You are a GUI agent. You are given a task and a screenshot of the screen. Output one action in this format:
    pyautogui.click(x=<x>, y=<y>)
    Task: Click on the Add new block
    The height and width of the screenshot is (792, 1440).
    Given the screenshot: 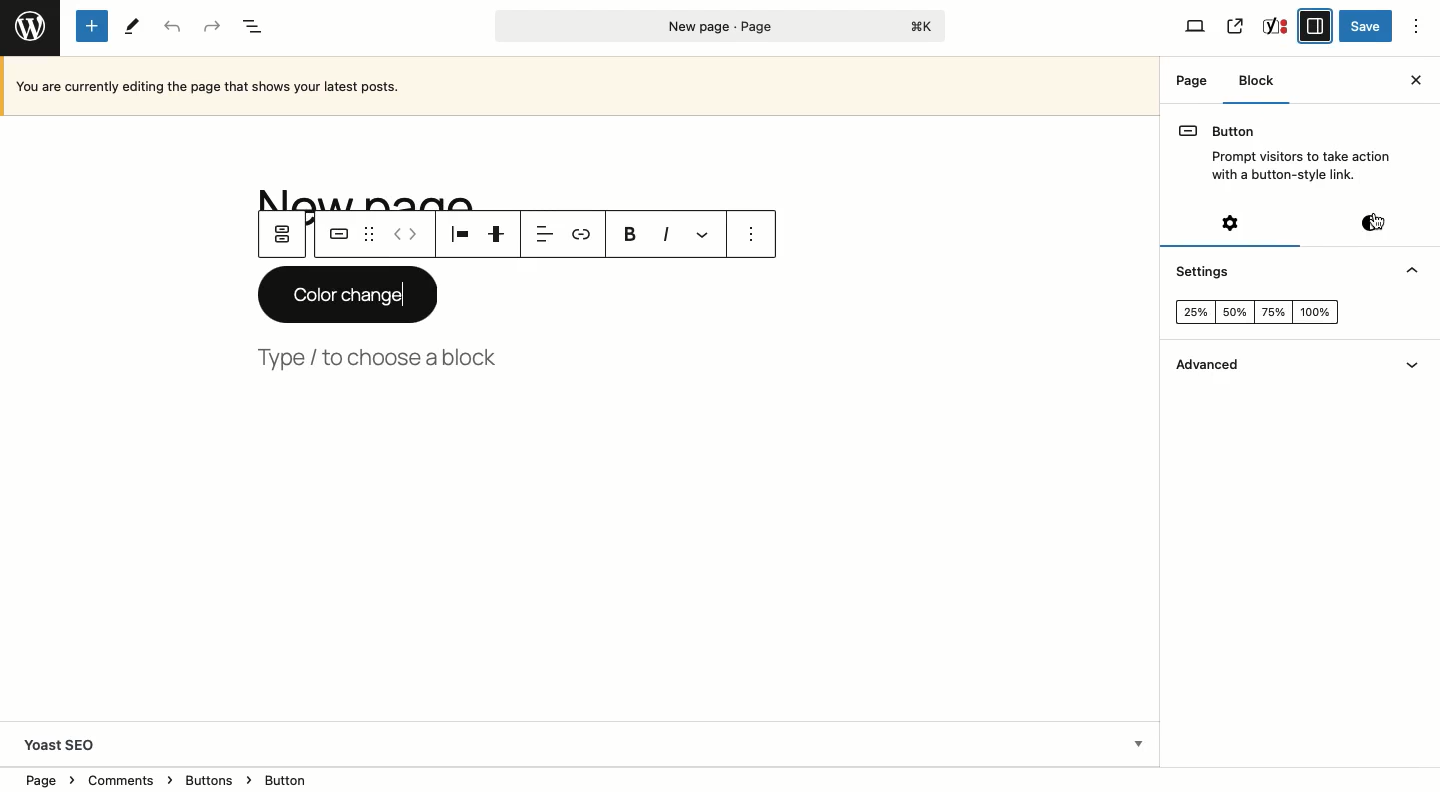 What is the action you would take?
    pyautogui.click(x=95, y=27)
    